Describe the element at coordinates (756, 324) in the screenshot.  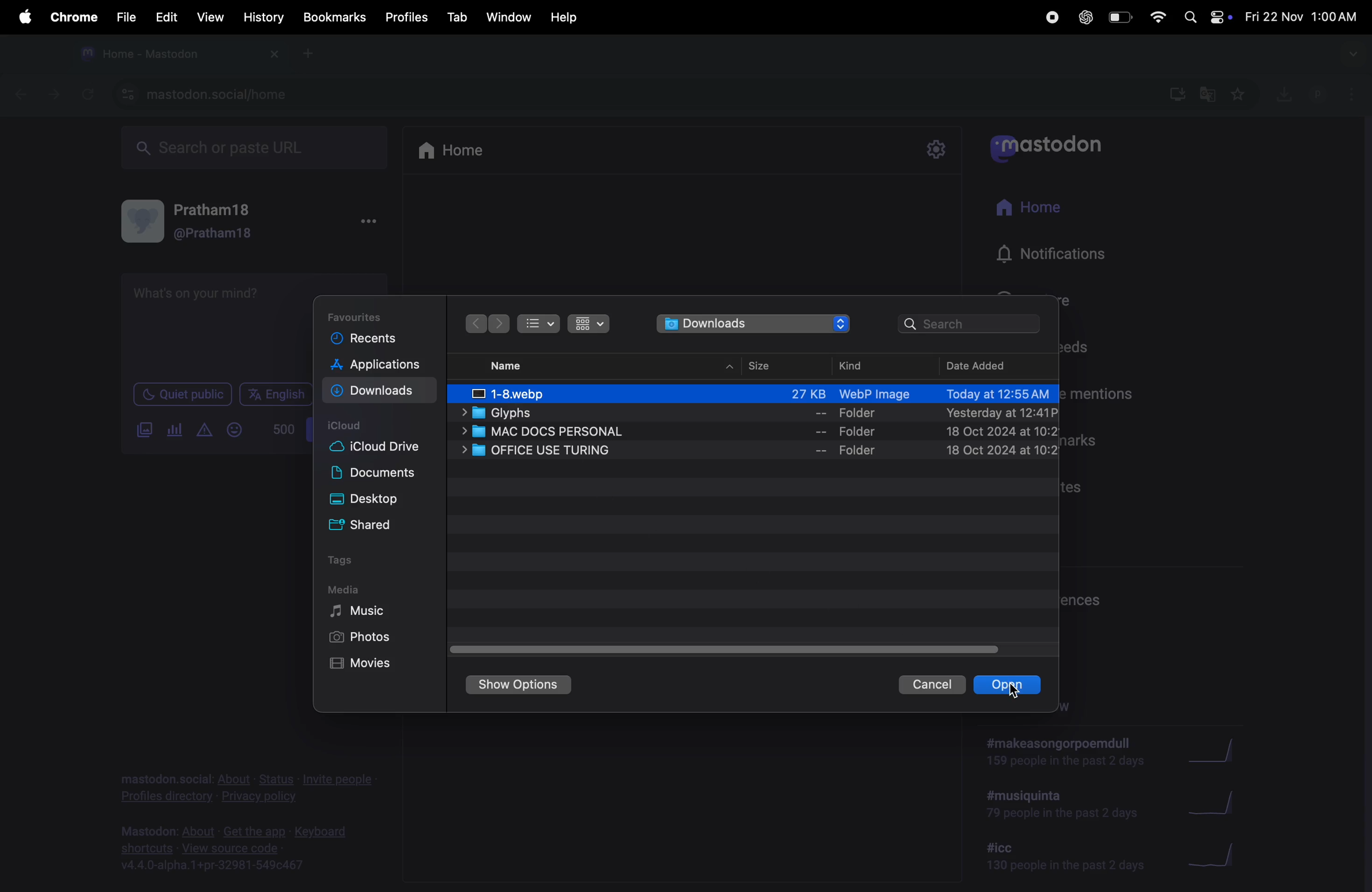
I see `downloads` at that location.